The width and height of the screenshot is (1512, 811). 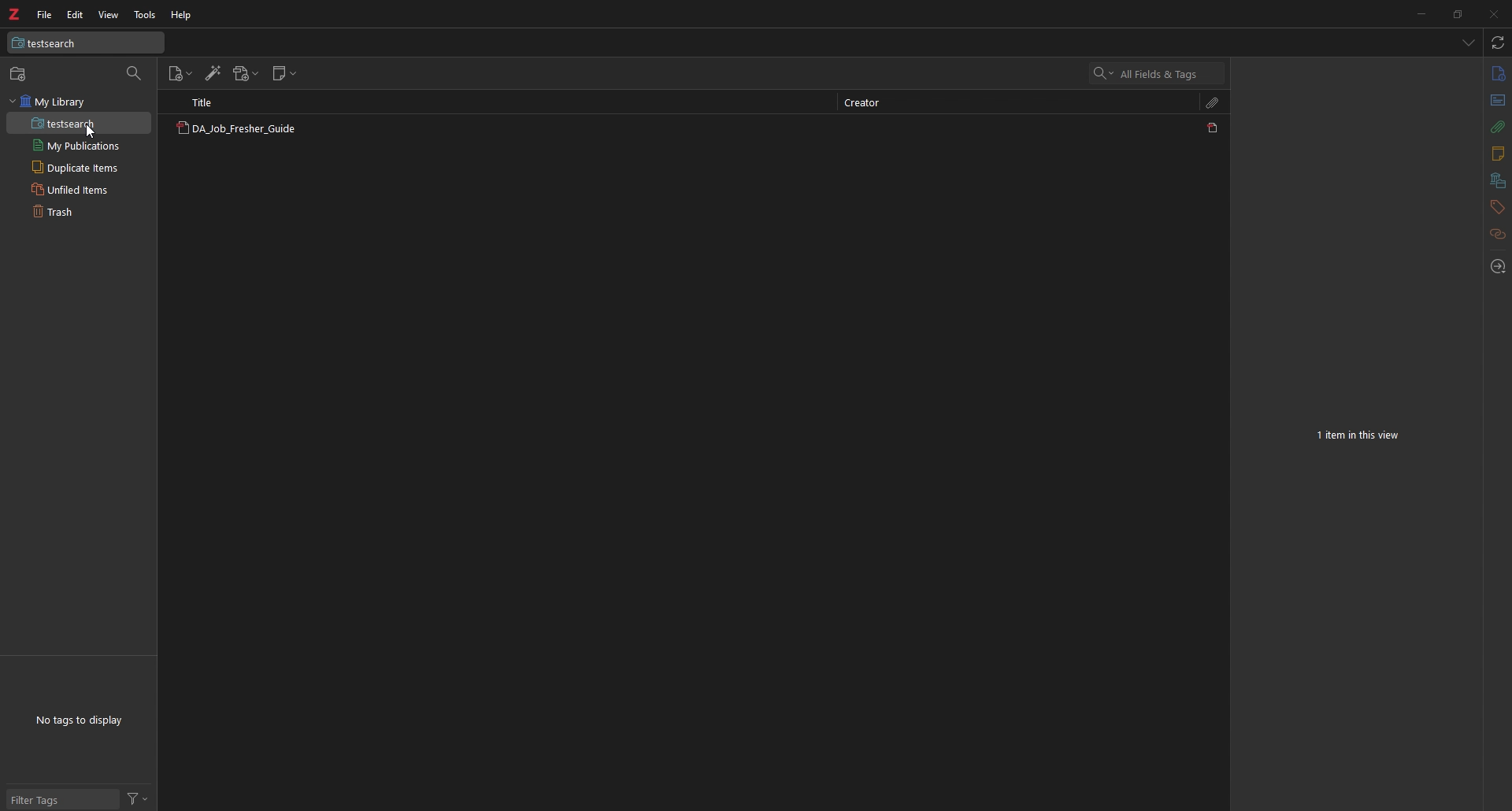 I want to click on DA_Job_Fresher_Guide, so click(x=235, y=130).